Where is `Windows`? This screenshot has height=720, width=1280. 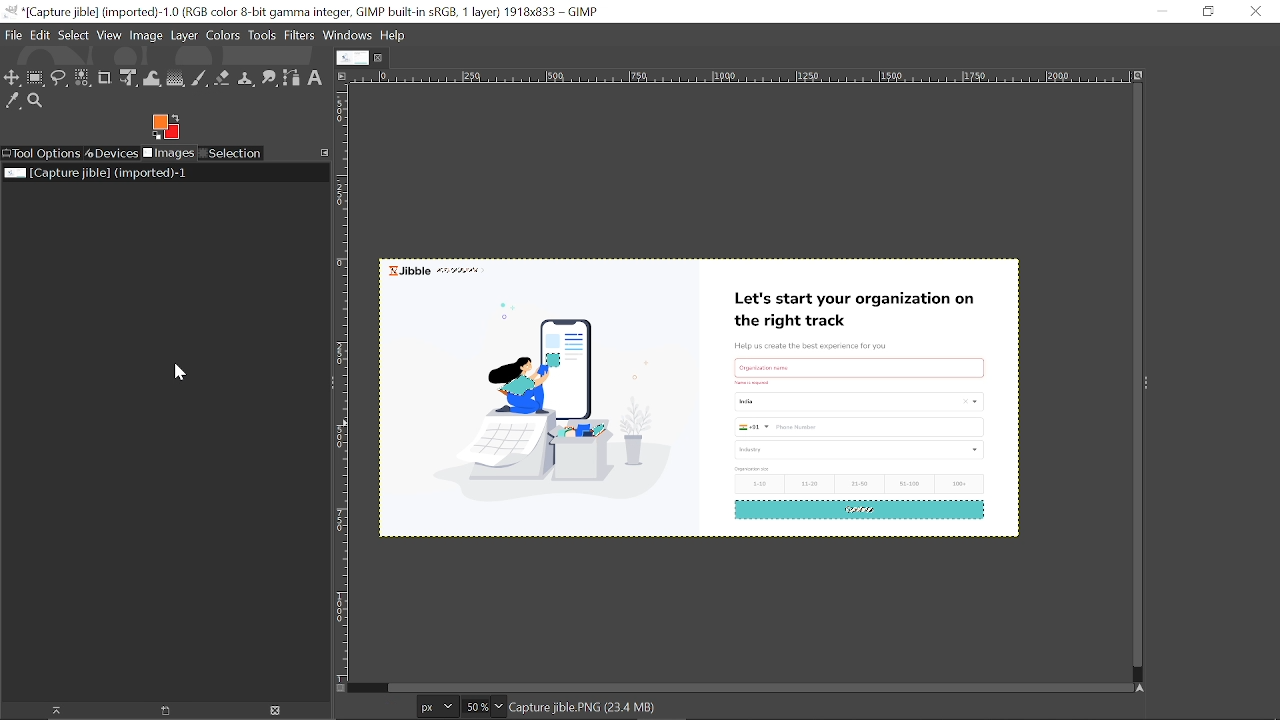 Windows is located at coordinates (349, 36).